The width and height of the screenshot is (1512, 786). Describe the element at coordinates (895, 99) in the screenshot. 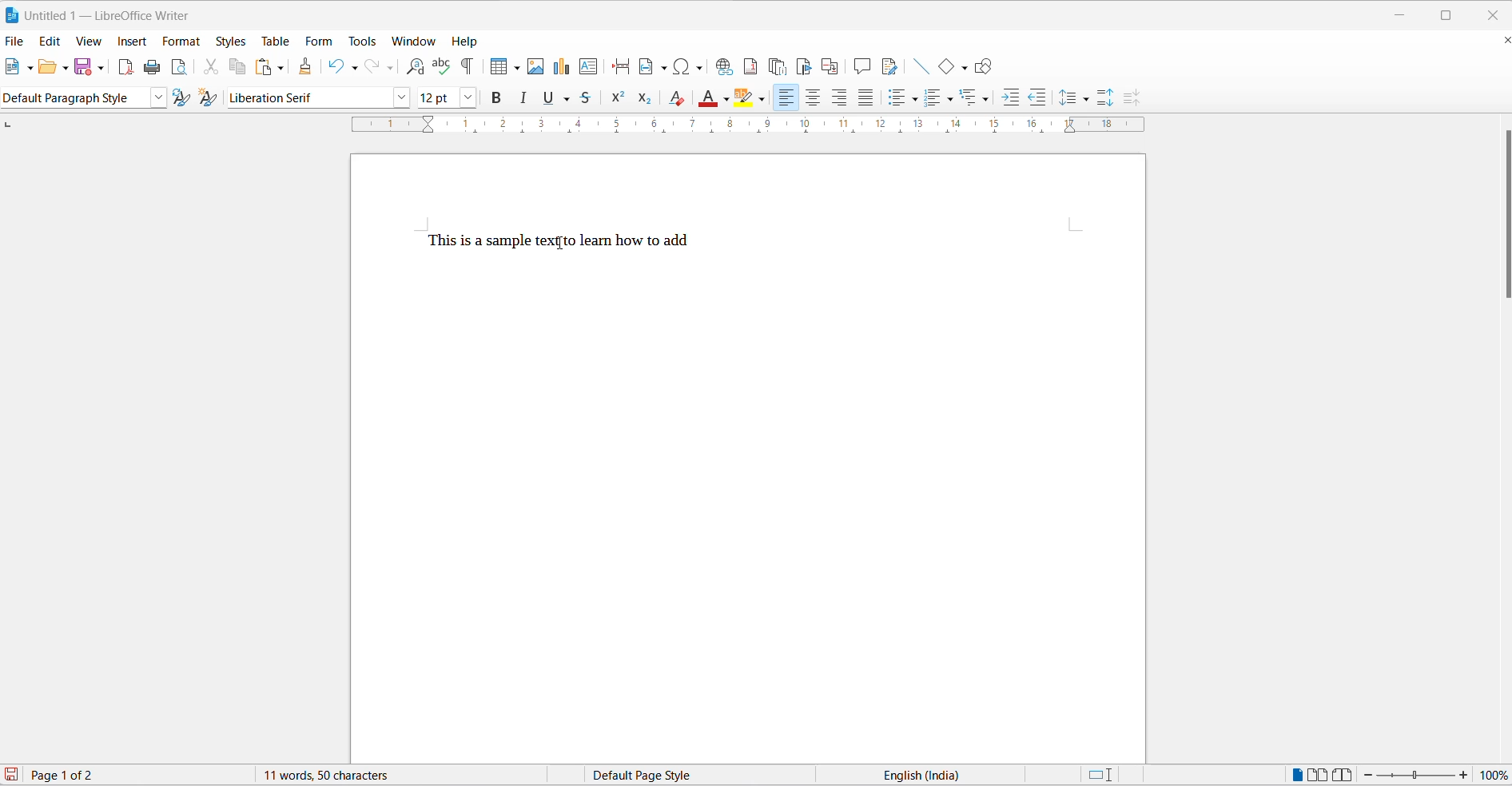

I see `toggle unordered list` at that location.